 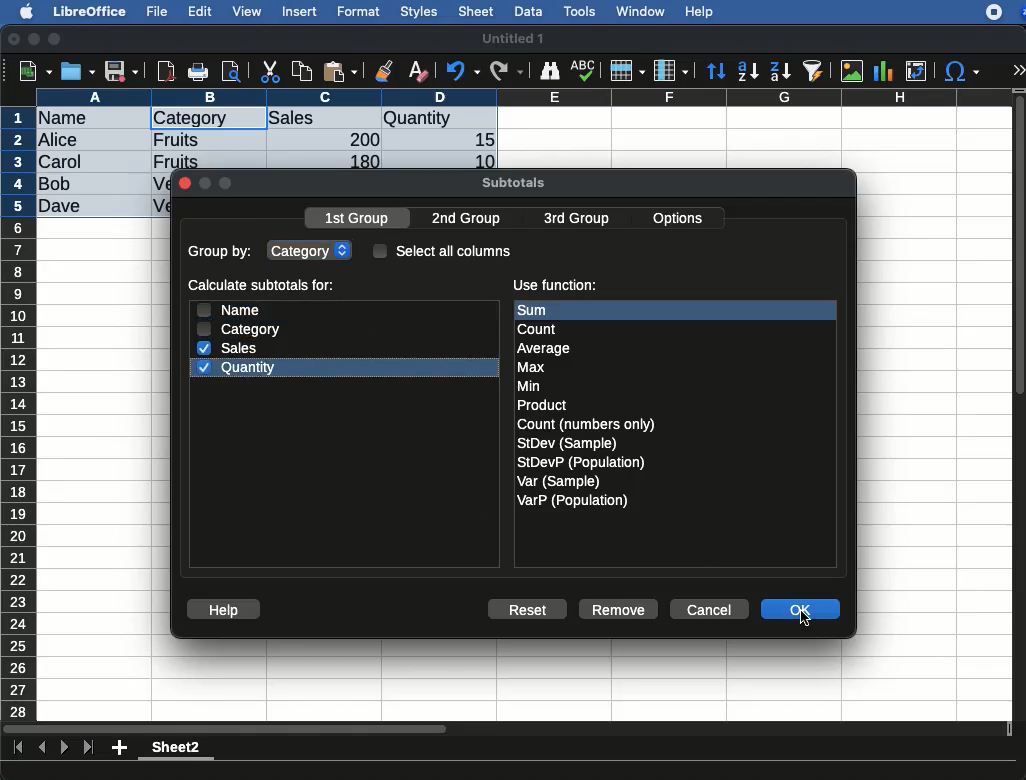 What do you see at coordinates (64, 207) in the screenshot?
I see `Dave` at bounding box center [64, 207].